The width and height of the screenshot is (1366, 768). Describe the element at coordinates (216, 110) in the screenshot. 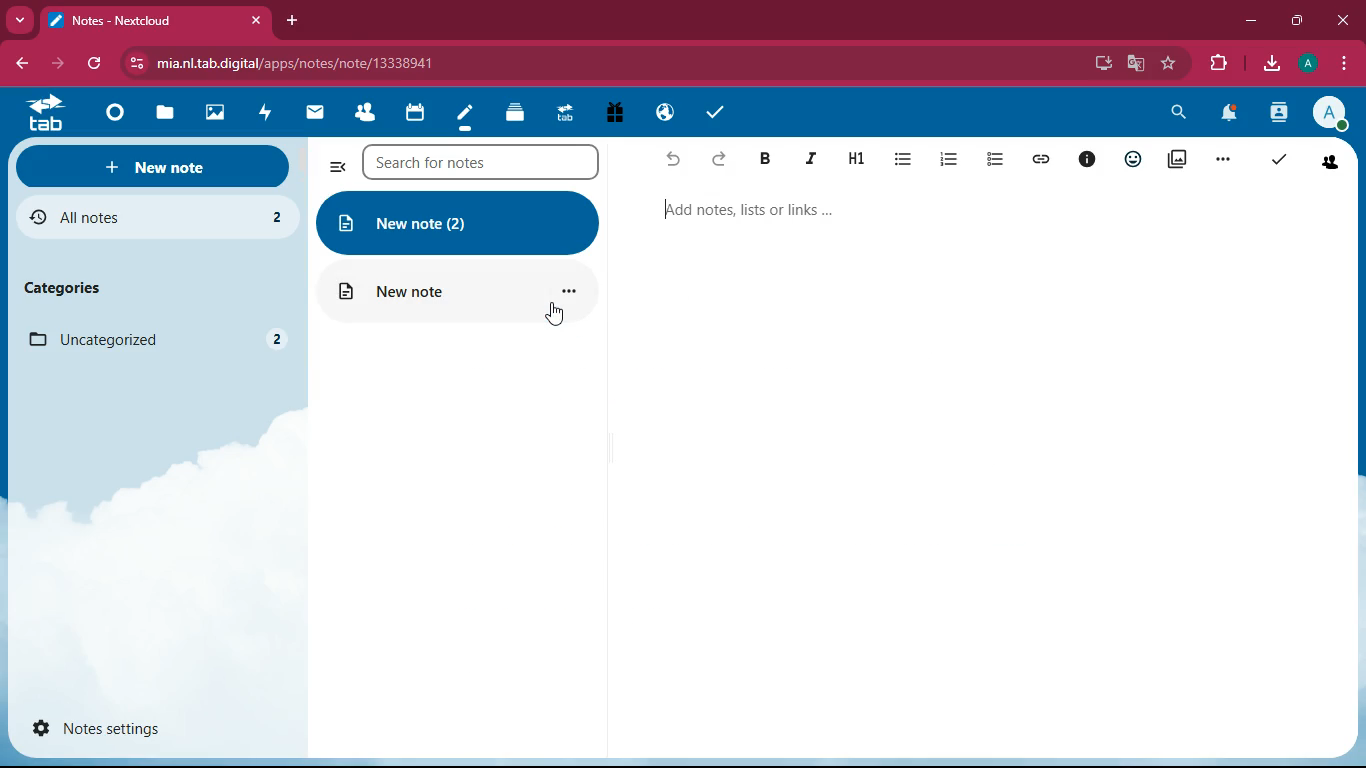

I see `image` at that location.